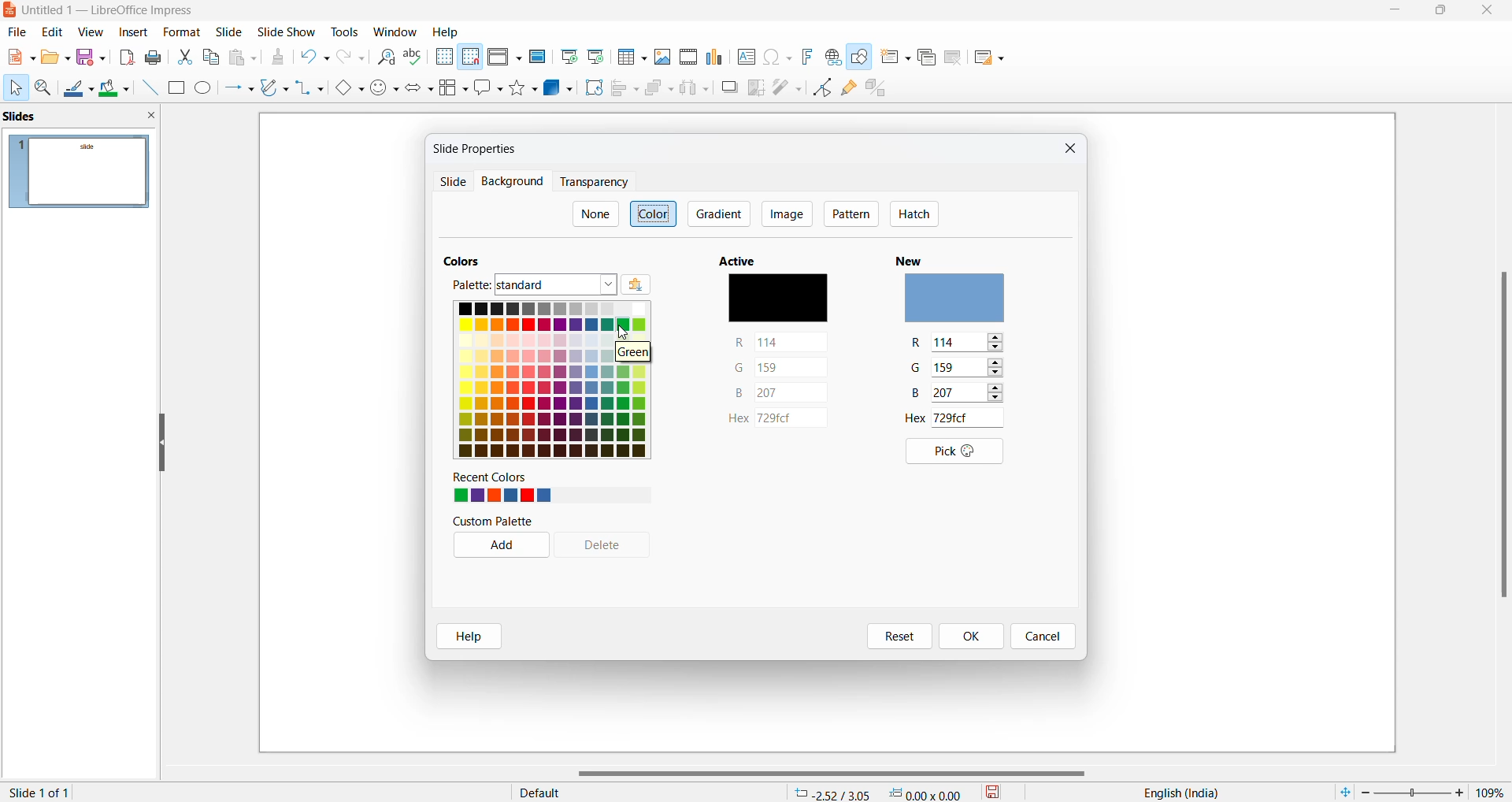 Image resolution: width=1512 pixels, height=802 pixels. Describe the element at coordinates (395, 32) in the screenshot. I see `window` at that location.